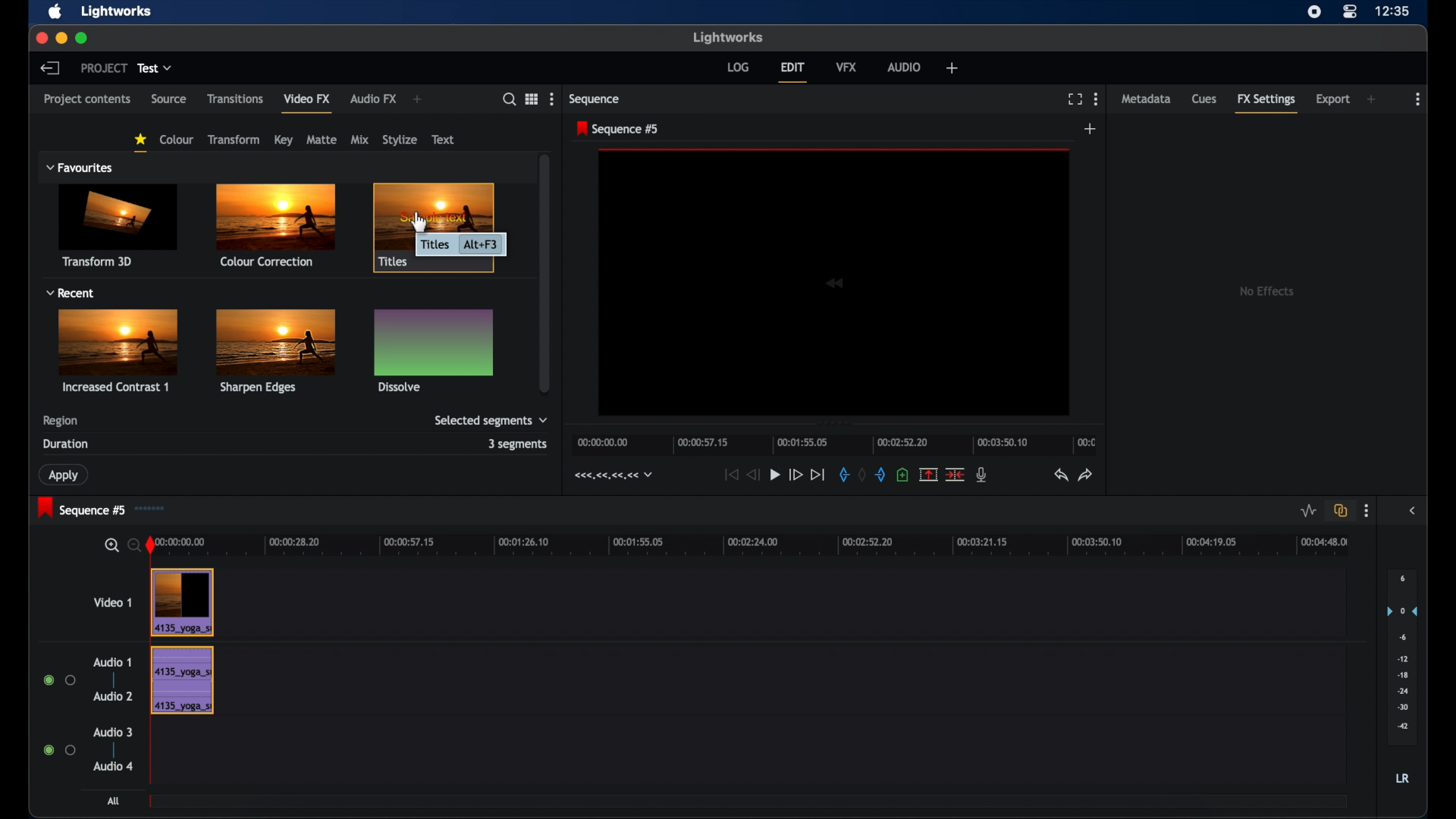  Describe the element at coordinates (154, 508) in the screenshot. I see `sequence icon` at that location.